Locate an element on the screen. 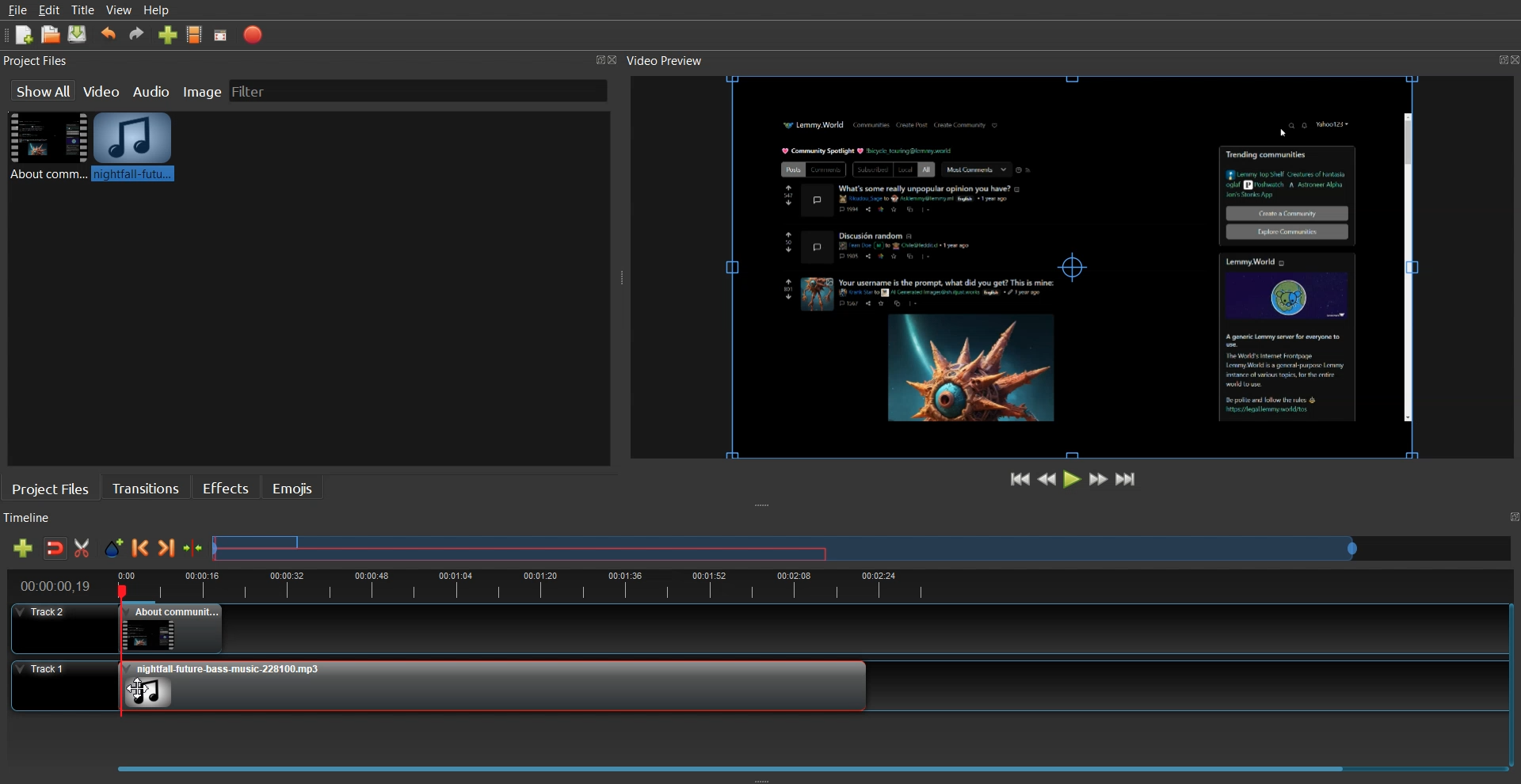 The width and height of the screenshot is (1521, 784). Audio Clip added is located at coordinates (133, 146).